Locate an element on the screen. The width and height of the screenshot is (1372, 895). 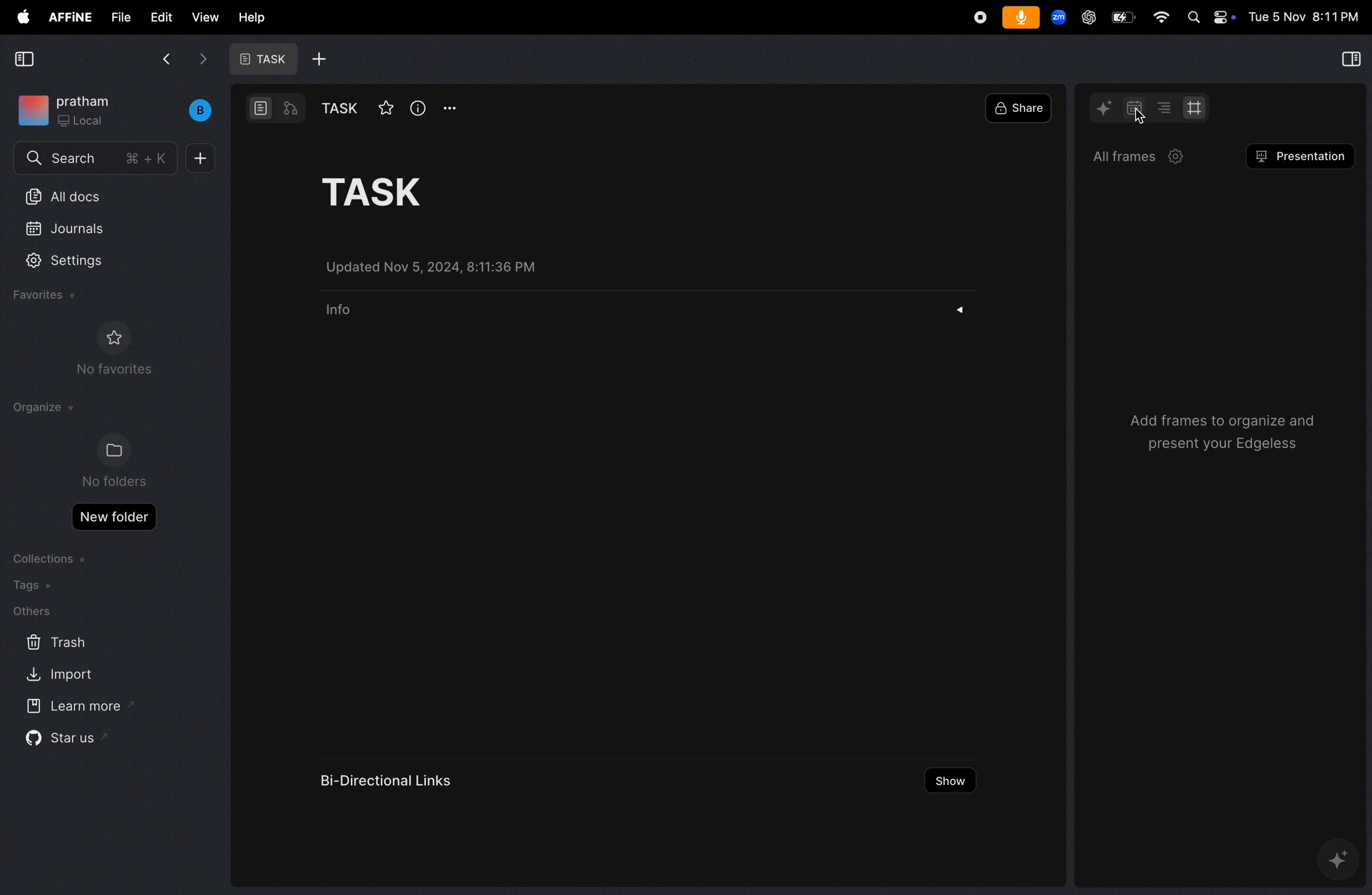
ai is located at coordinates (1106, 108).